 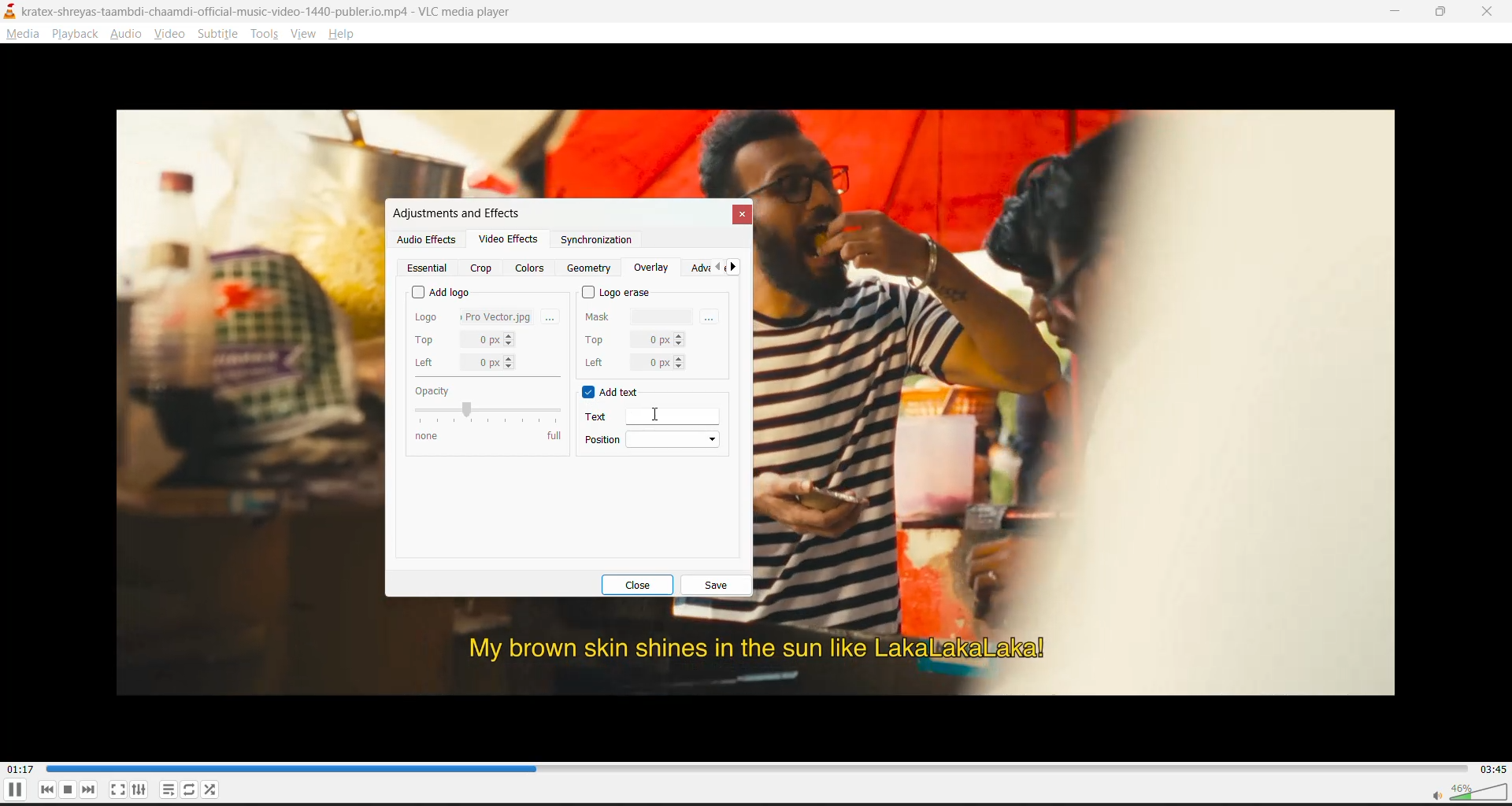 What do you see at coordinates (1397, 11) in the screenshot?
I see `minimize` at bounding box center [1397, 11].